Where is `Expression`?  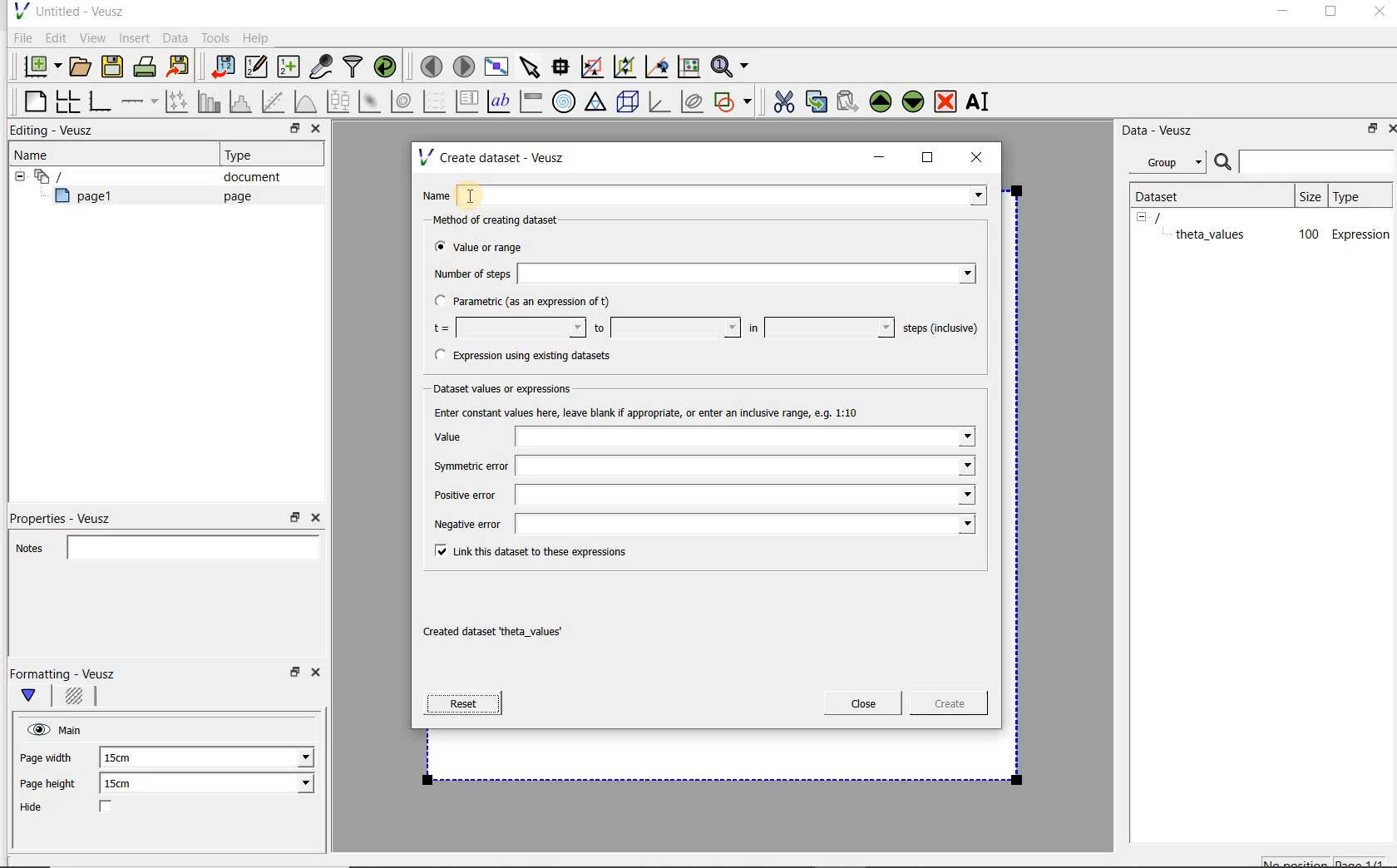
Expression is located at coordinates (1361, 234).